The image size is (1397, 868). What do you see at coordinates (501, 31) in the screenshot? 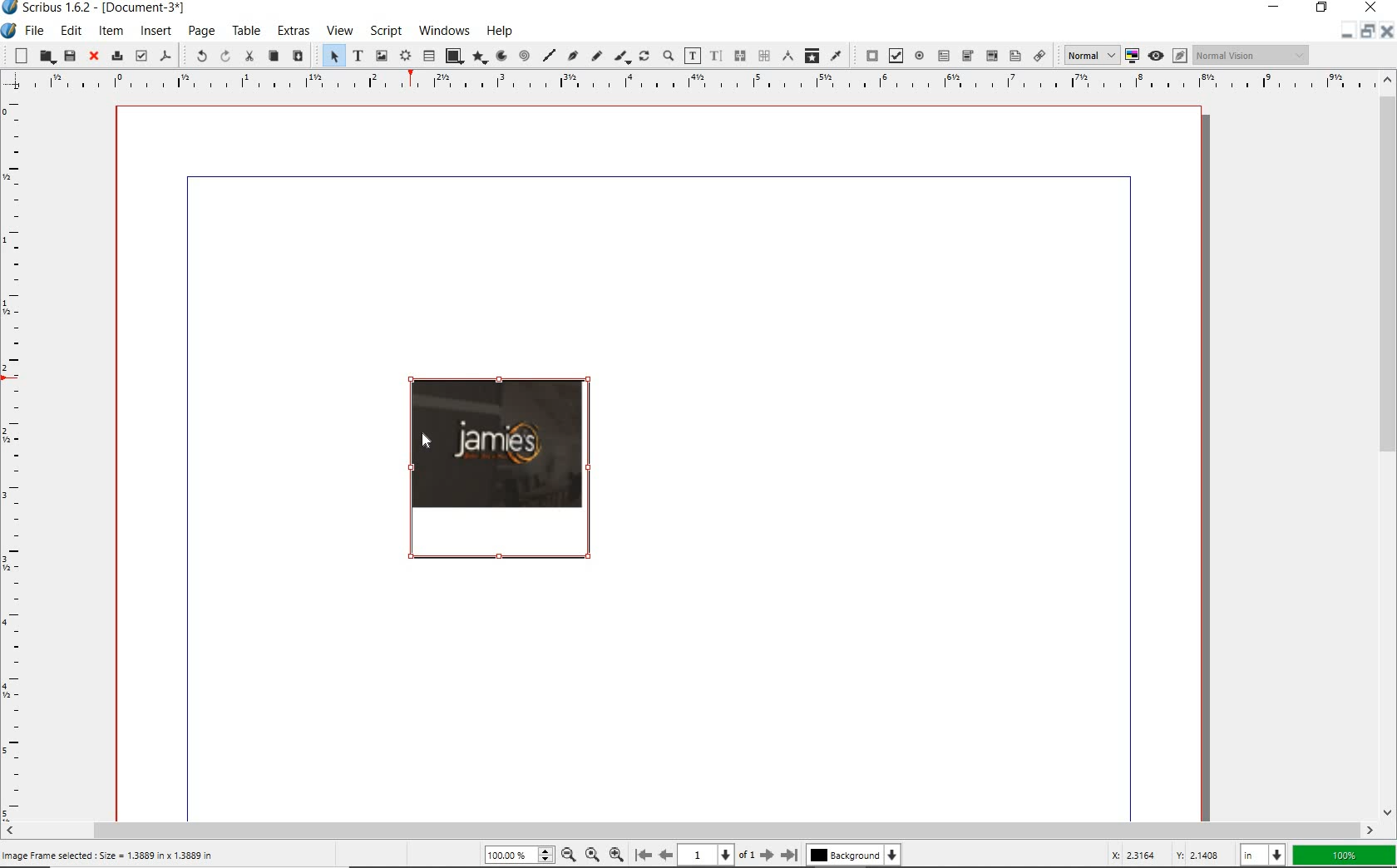
I see `HELP` at bounding box center [501, 31].